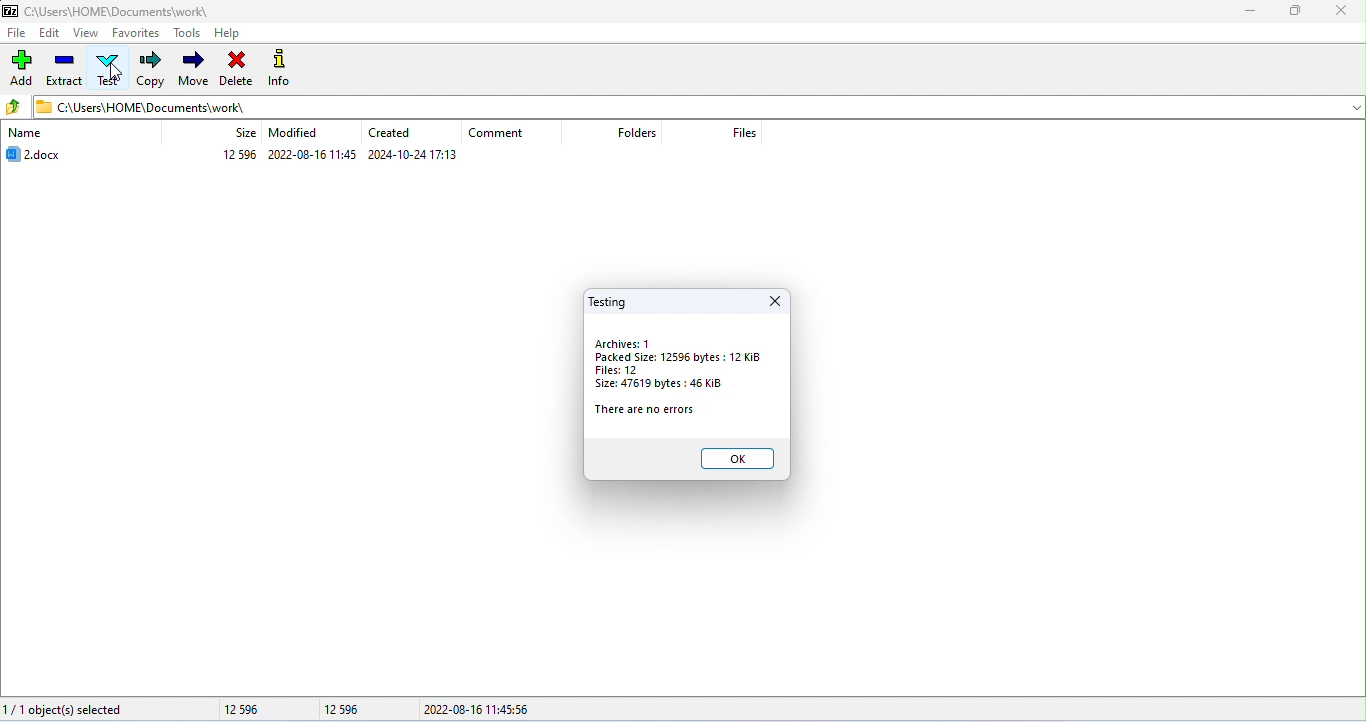 Image resolution: width=1366 pixels, height=722 pixels. I want to click on cursor, so click(118, 72).